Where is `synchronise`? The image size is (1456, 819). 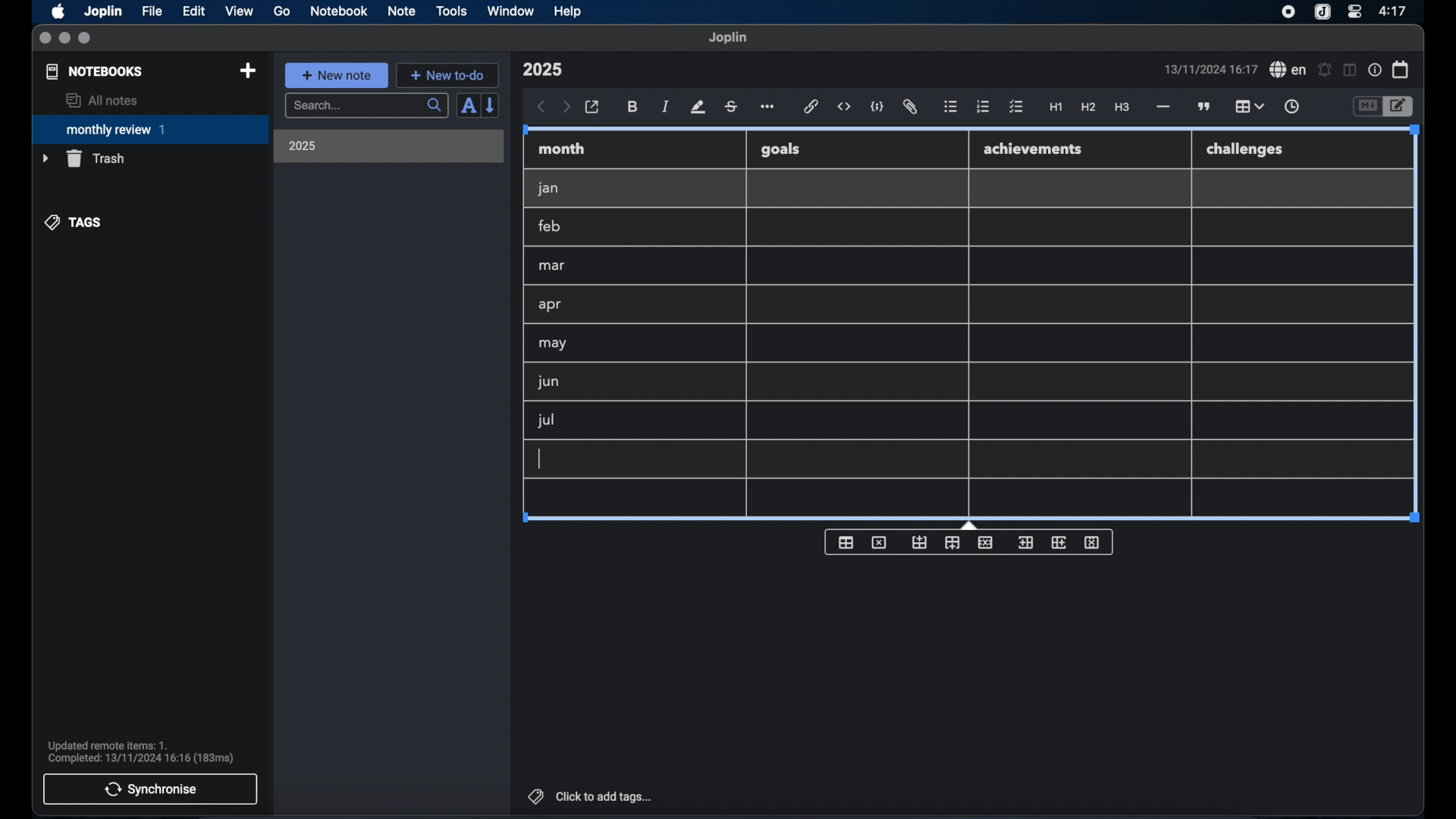
synchronise is located at coordinates (150, 789).